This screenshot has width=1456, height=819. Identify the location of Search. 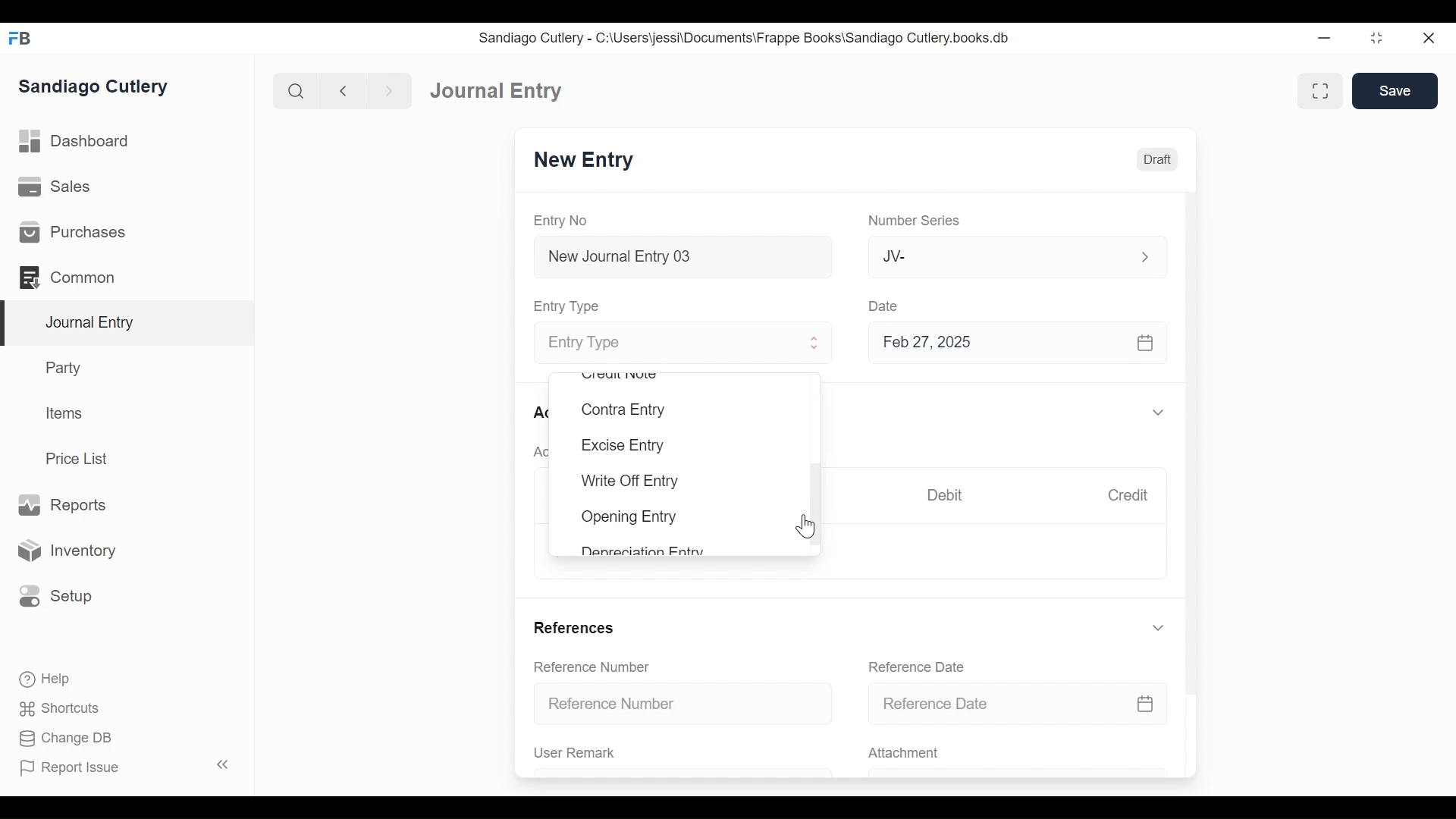
(294, 90).